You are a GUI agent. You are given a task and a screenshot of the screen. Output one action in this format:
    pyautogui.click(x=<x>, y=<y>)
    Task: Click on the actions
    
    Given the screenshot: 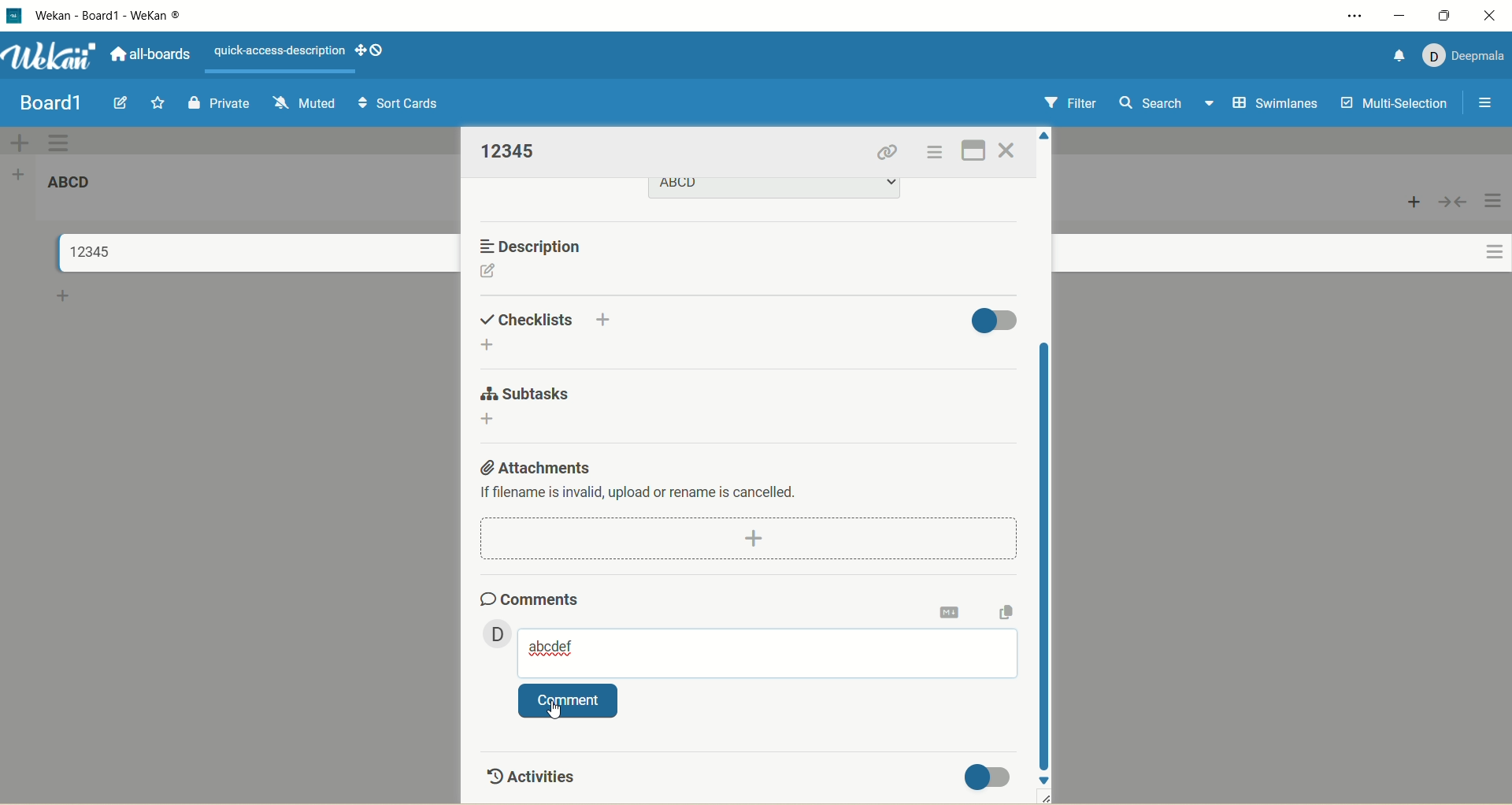 What is the action you would take?
    pyautogui.click(x=1488, y=239)
    